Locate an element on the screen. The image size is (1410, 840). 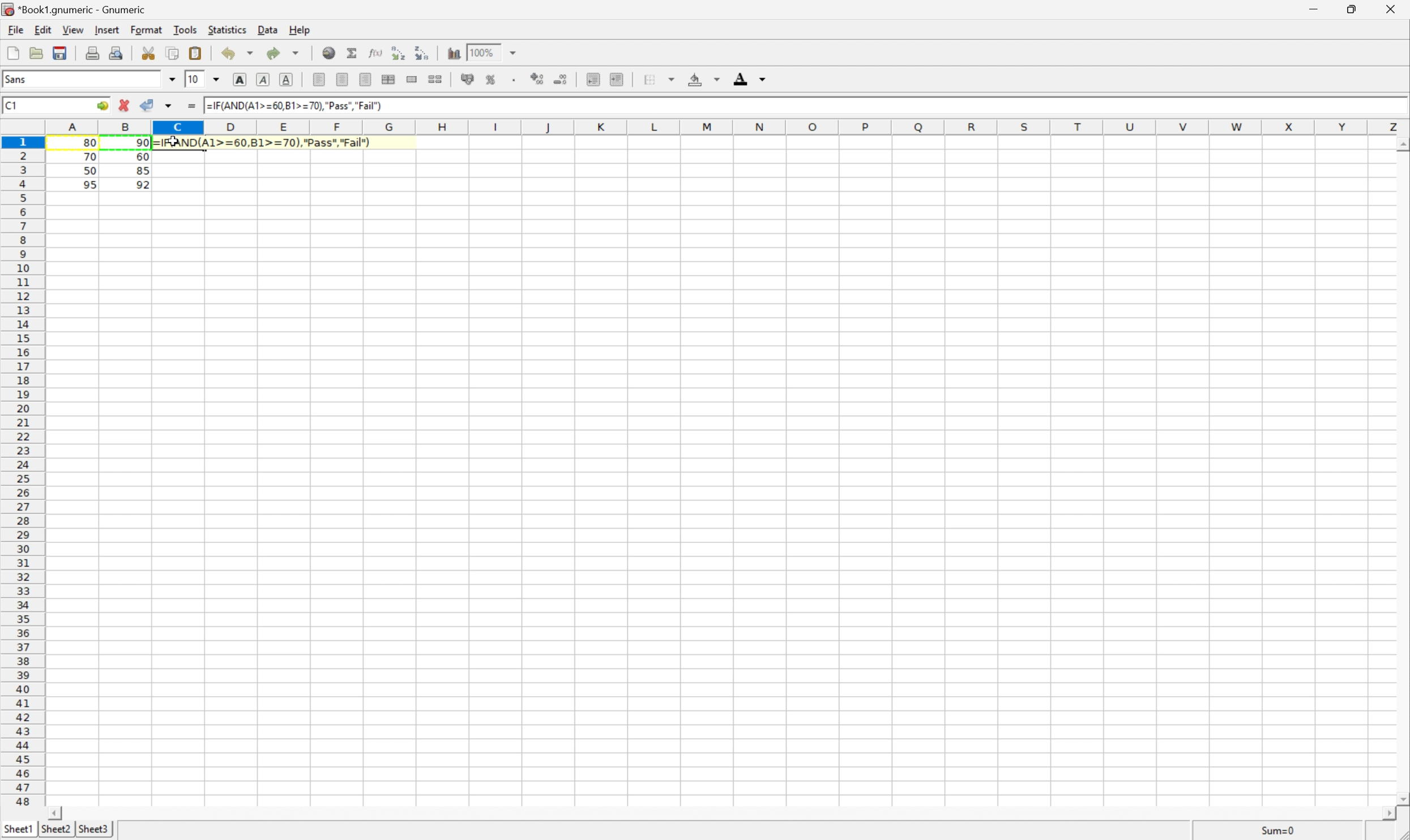
Sum=80 is located at coordinates (1277, 830).